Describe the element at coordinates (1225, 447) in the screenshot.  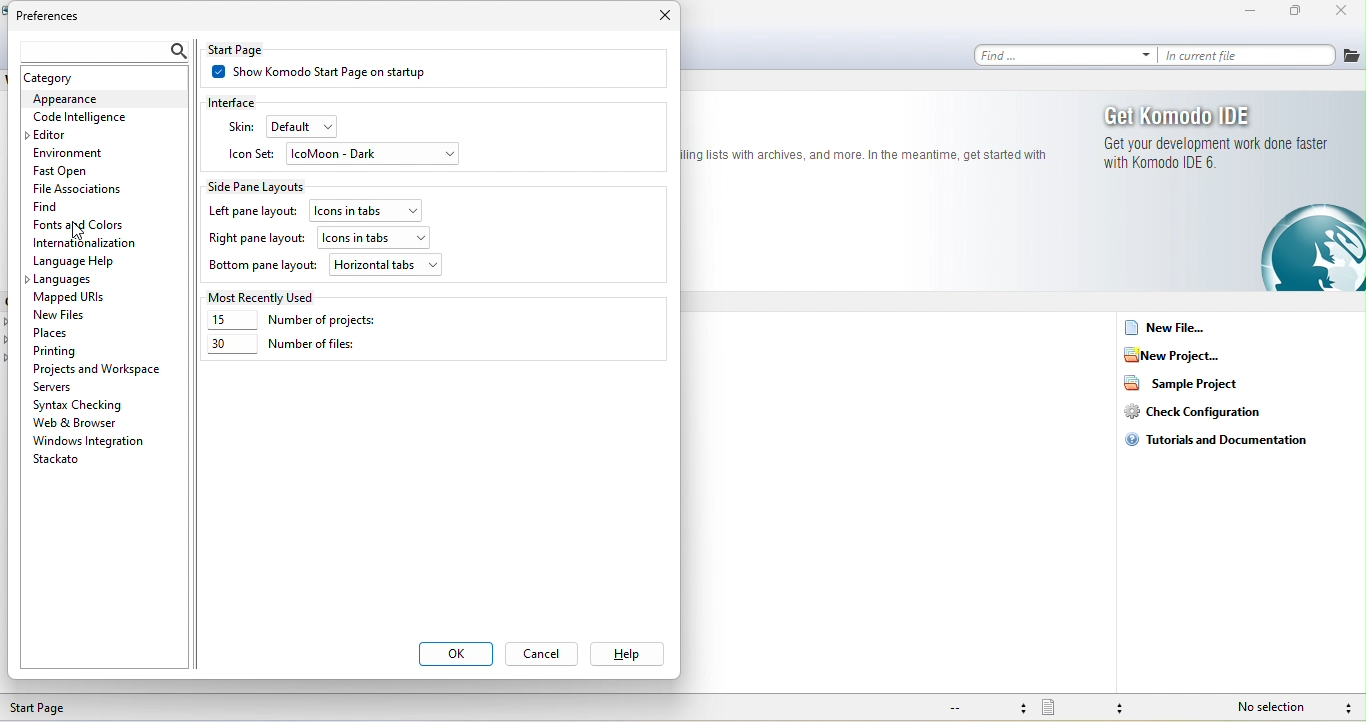
I see `tutorials and documentation` at that location.